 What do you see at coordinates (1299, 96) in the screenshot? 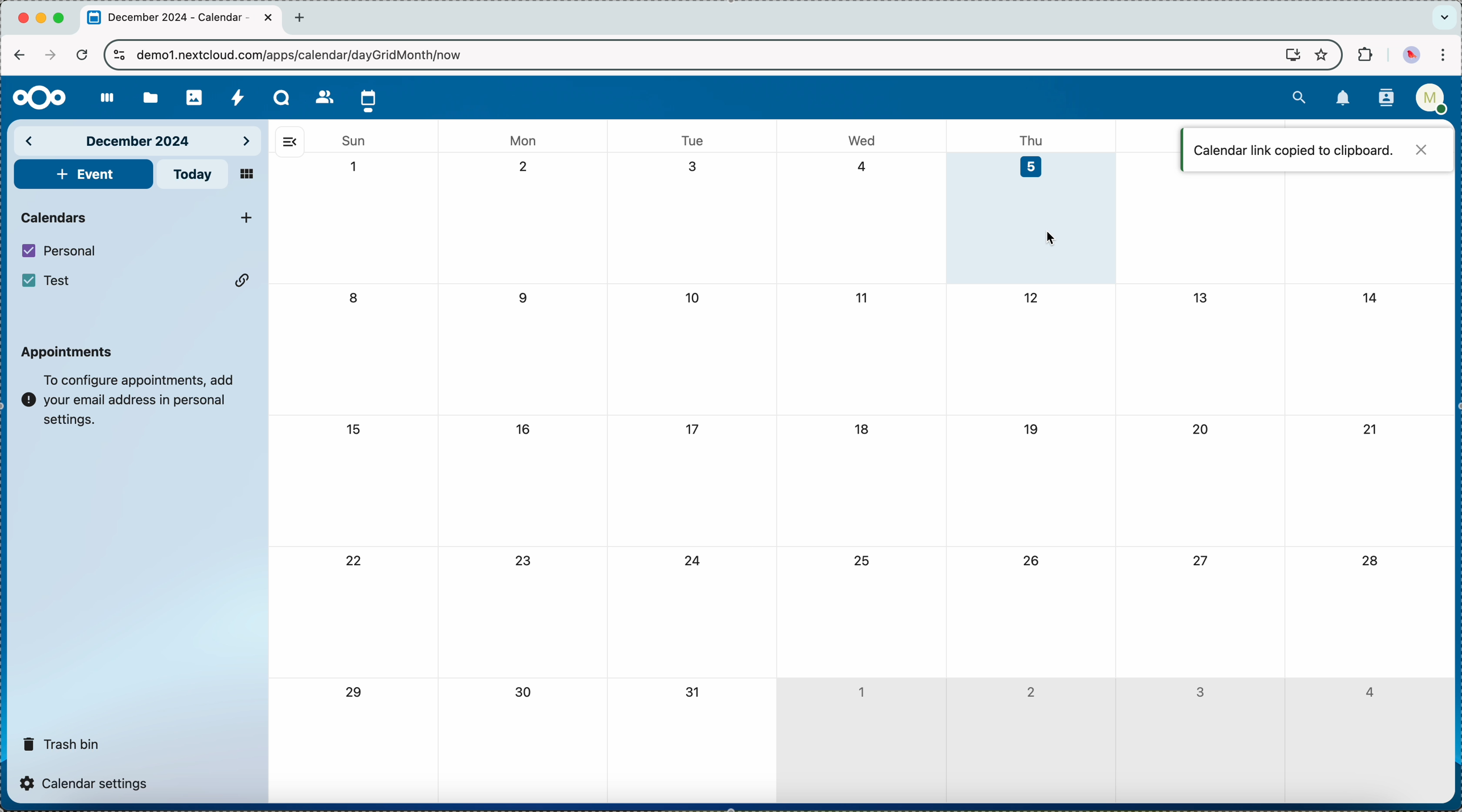
I see `search` at bounding box center [1299, 96].